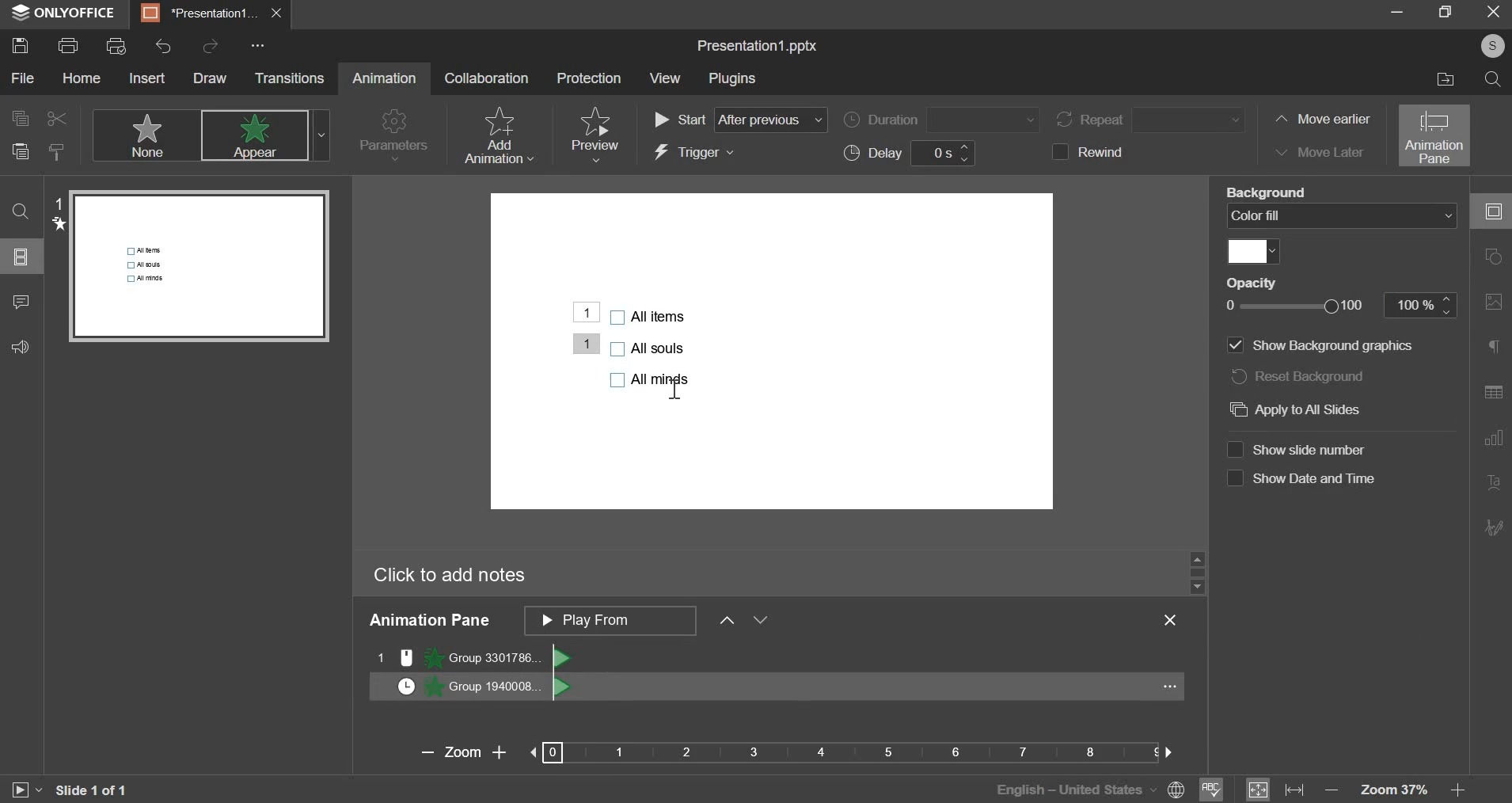 This screenshot has width=1512, height=803. What do you see at coordinates (1435, 135) in the screenshot?
I see `animation pane` at bounding box center [1435, 135].